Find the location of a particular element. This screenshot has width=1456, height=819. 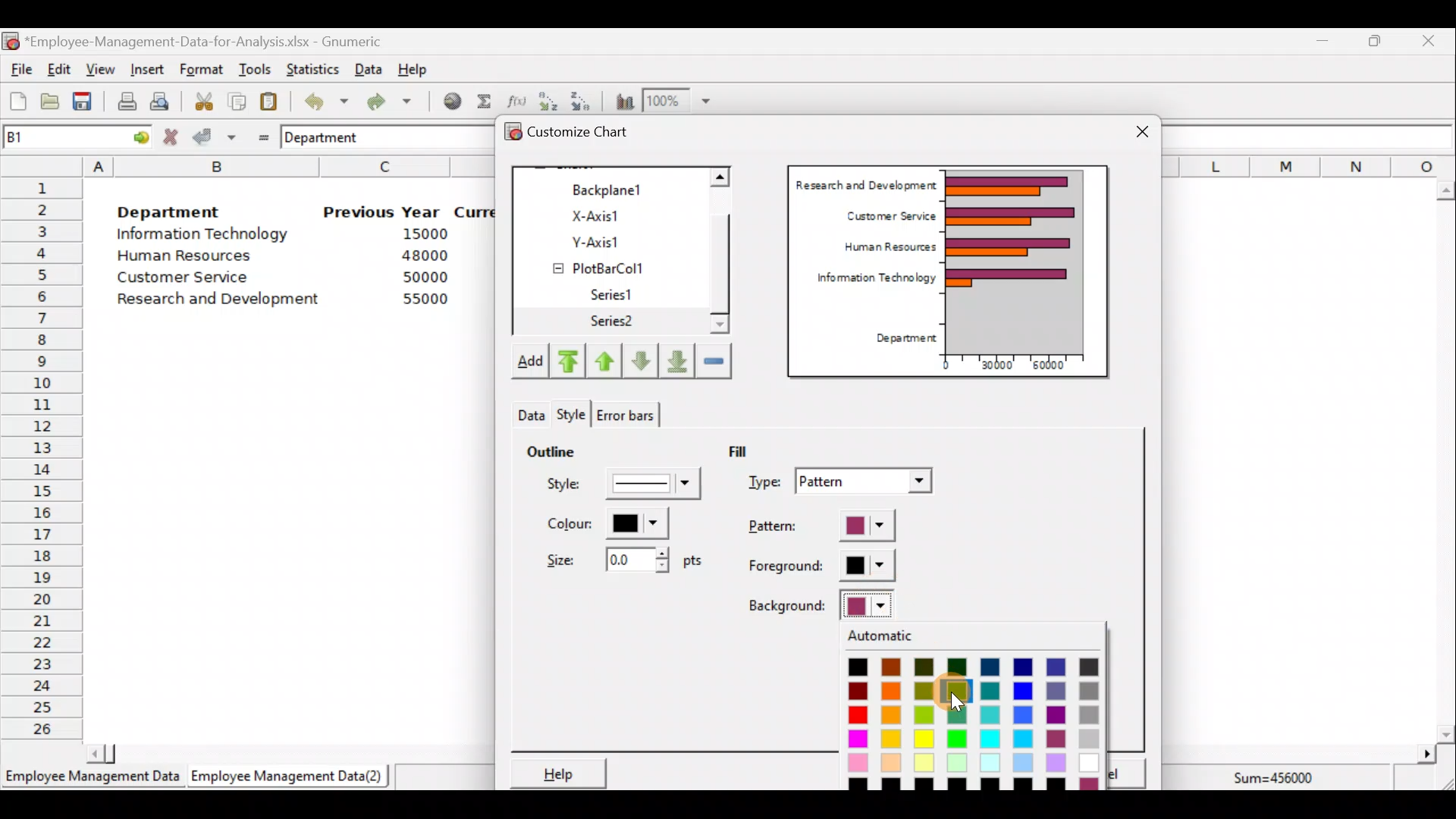

Help is located at coordinates (422, 68).